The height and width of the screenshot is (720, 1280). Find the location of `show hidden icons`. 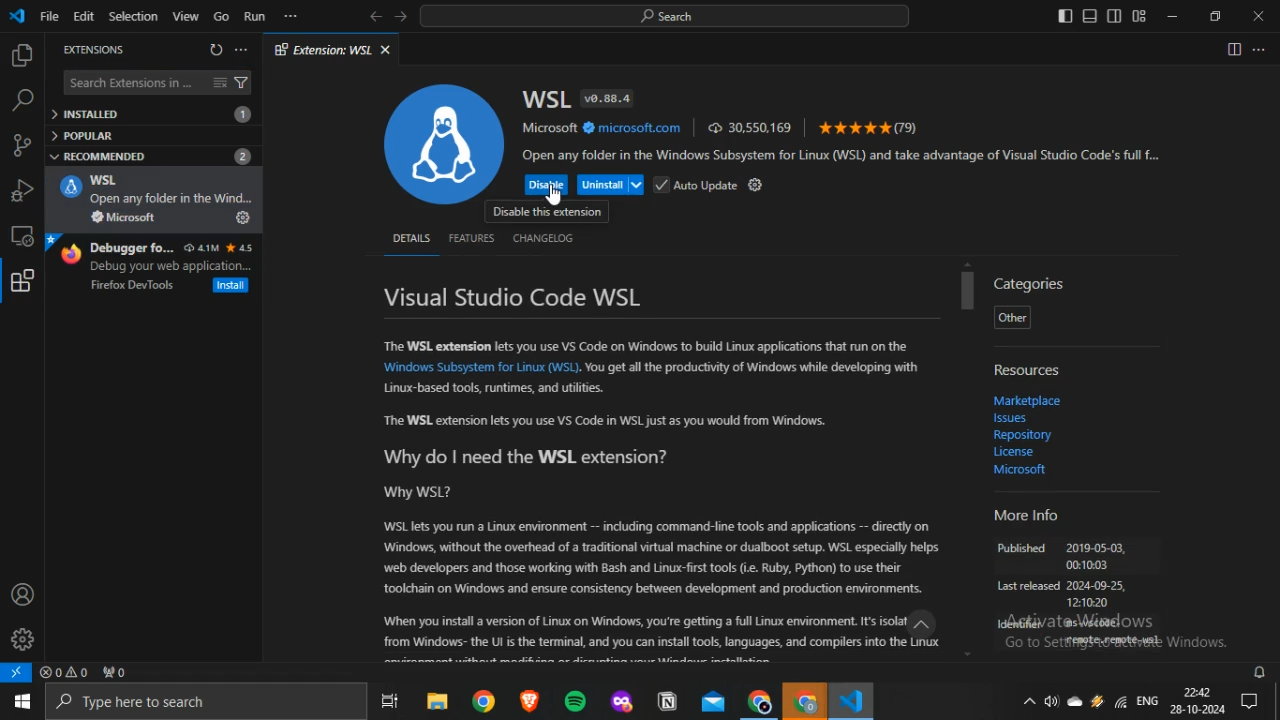

show hidden icons is located at coordinates (1028, 700).